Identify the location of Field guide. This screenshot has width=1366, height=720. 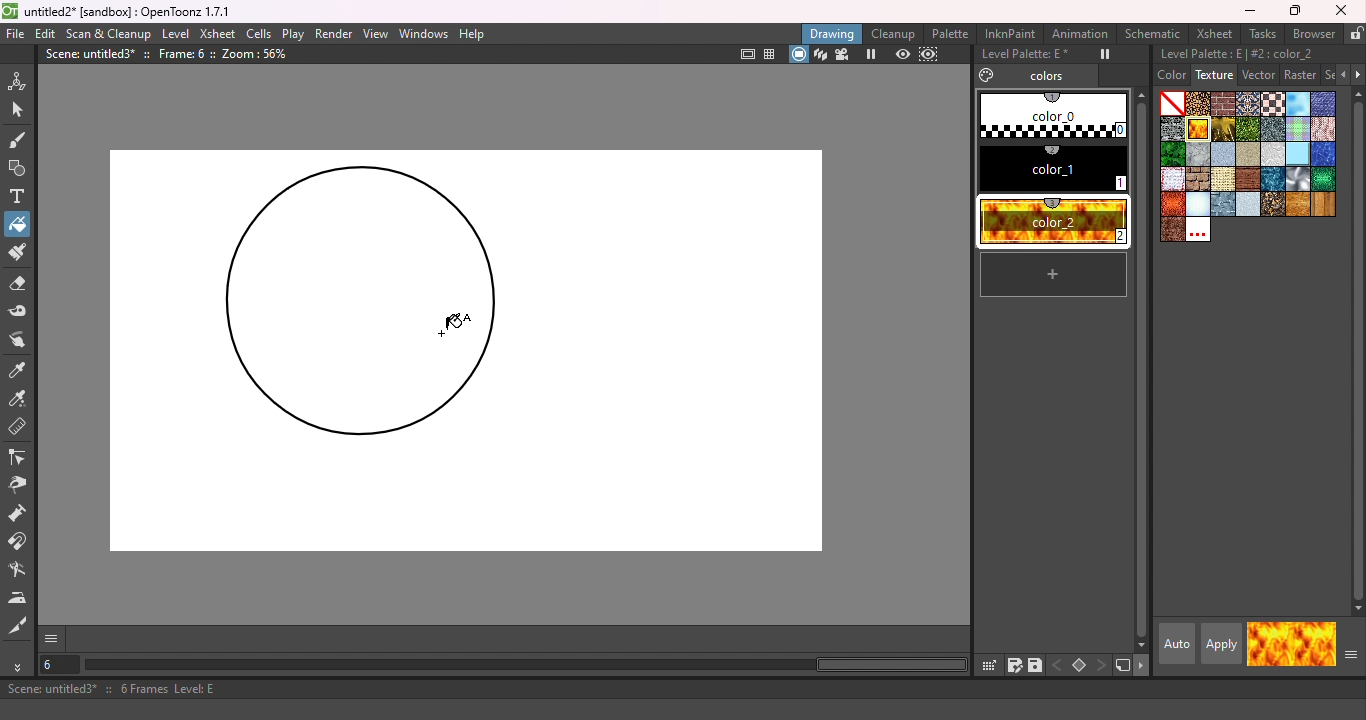
(771, 55).